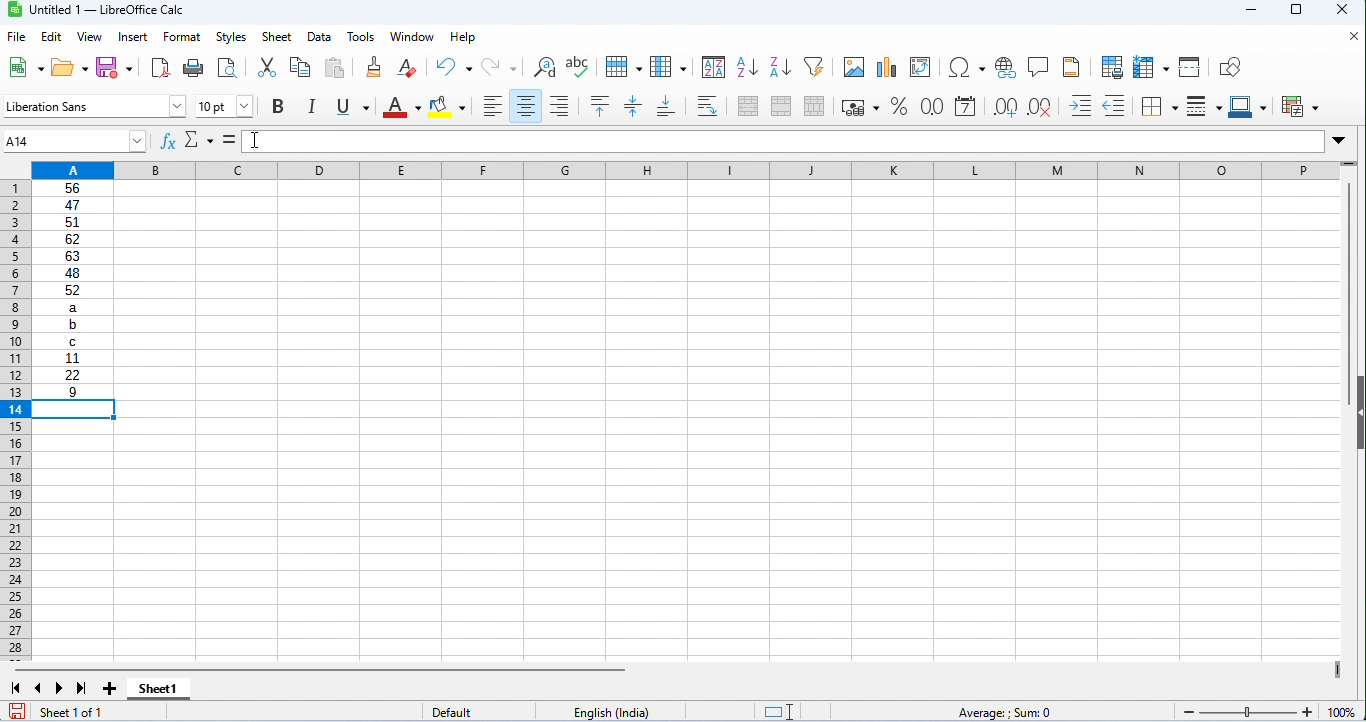  Describe the element at coordinates (72, 358) in the screenshot. I see `11` at that location.